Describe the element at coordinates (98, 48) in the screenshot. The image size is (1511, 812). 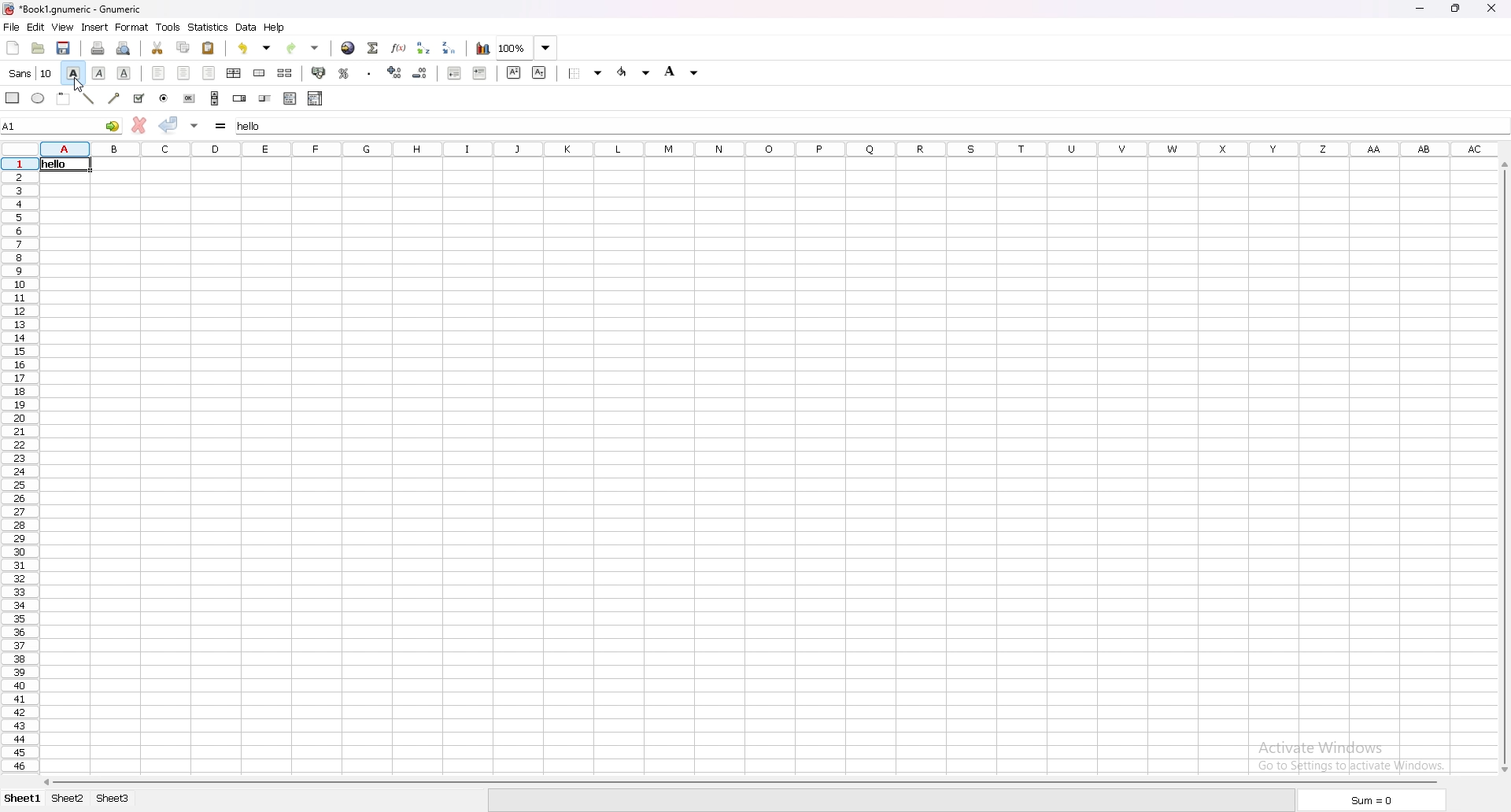
I see `print` at that location.